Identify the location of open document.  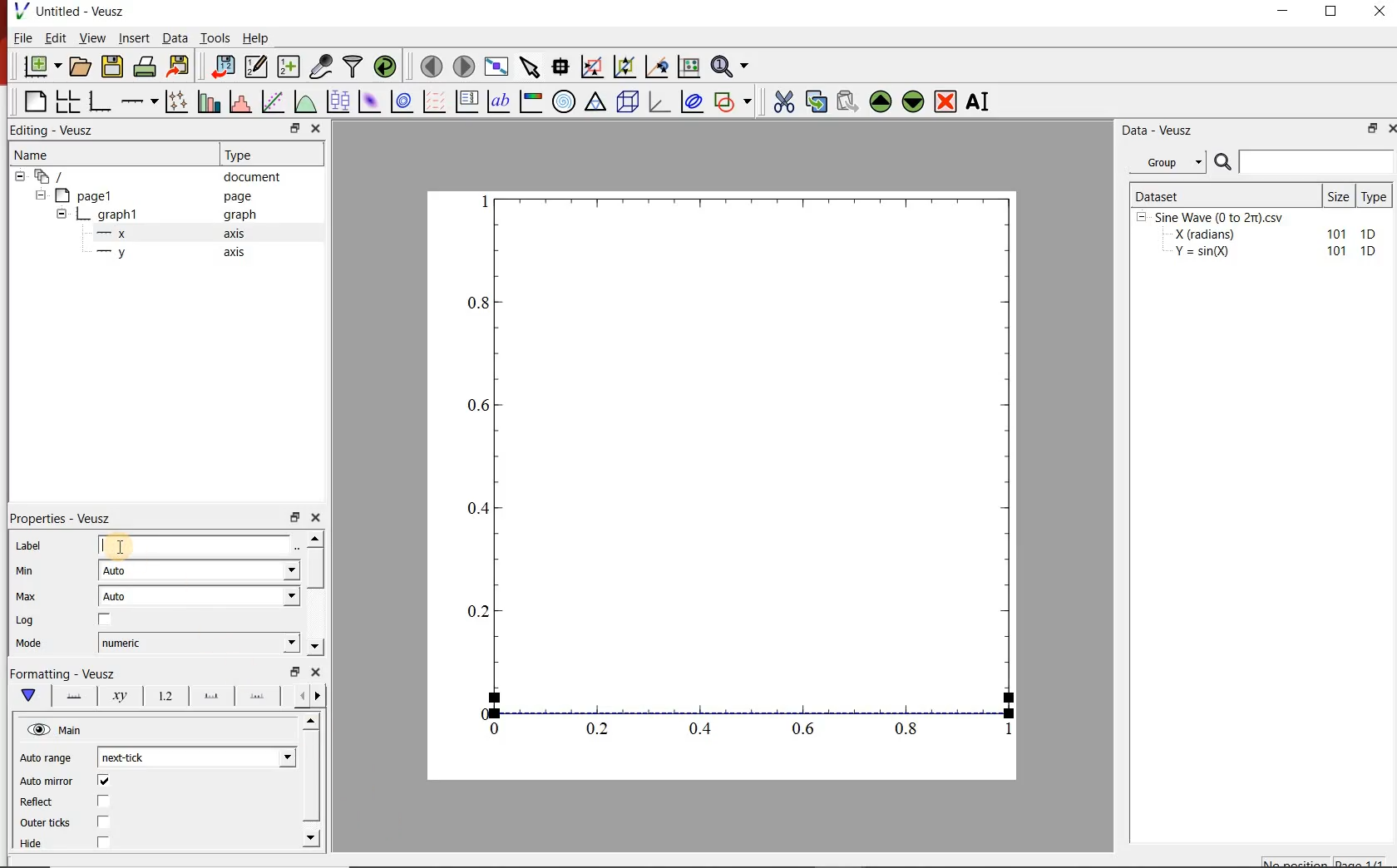
(81, 67).